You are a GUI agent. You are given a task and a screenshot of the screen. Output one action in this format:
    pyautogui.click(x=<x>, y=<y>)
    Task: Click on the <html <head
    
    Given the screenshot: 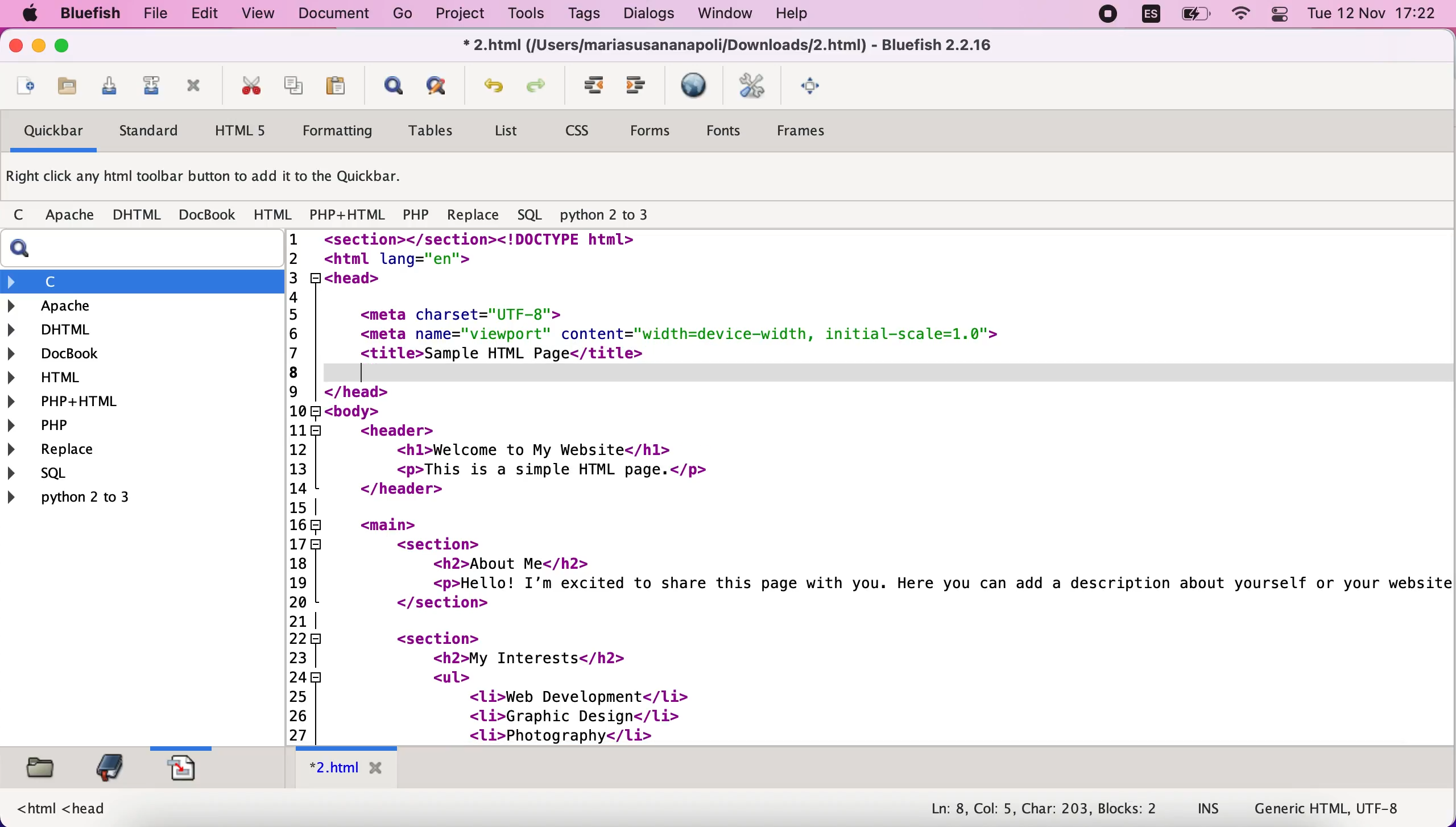 What is the action you would take?
    pyautogui.click(x=63, y=809)
    